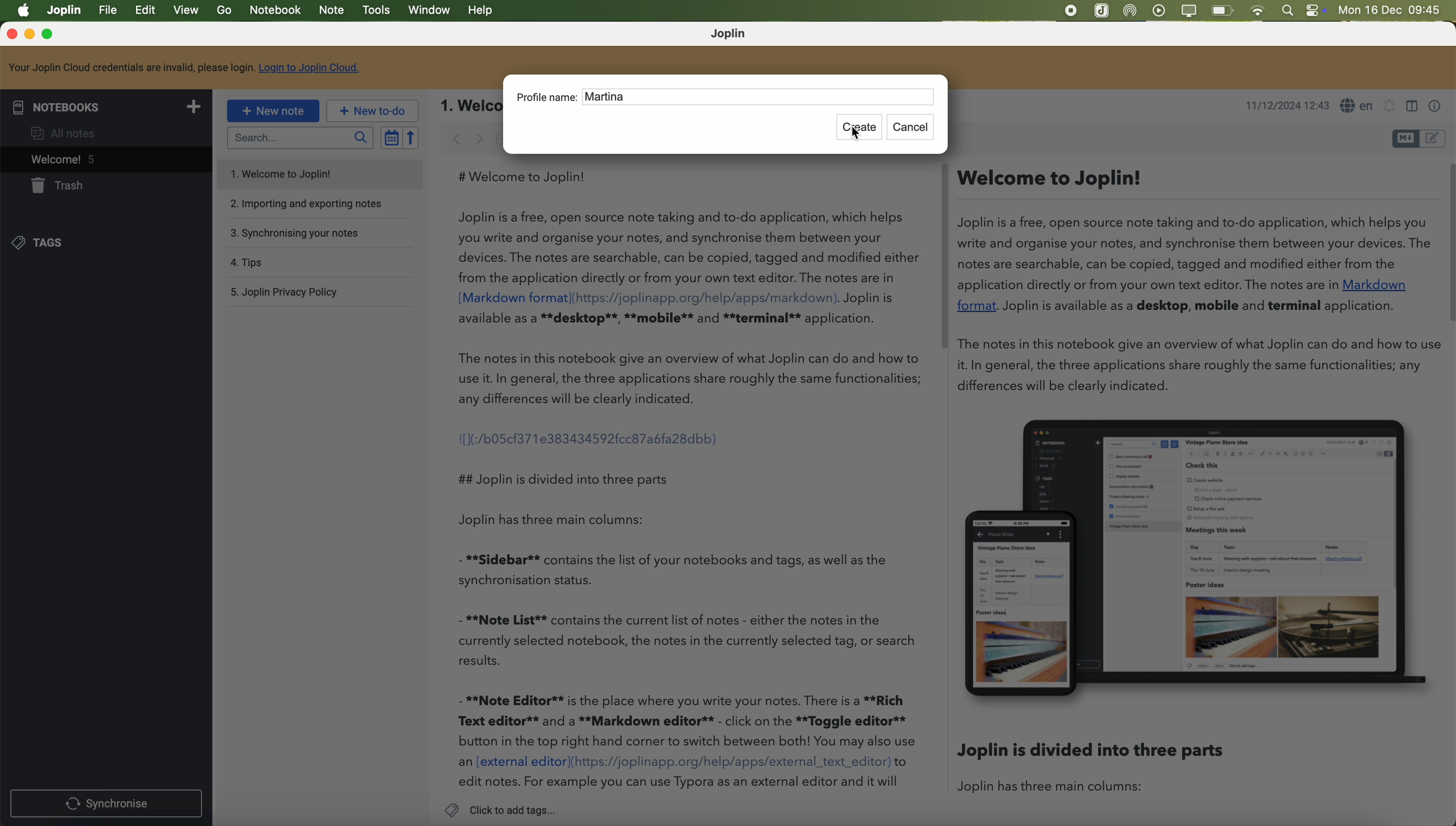  What do you see at coordinates (1286, 106) in the screenshot?
I see `11/12/2024 12:43` at bounding box center [1286, 106].